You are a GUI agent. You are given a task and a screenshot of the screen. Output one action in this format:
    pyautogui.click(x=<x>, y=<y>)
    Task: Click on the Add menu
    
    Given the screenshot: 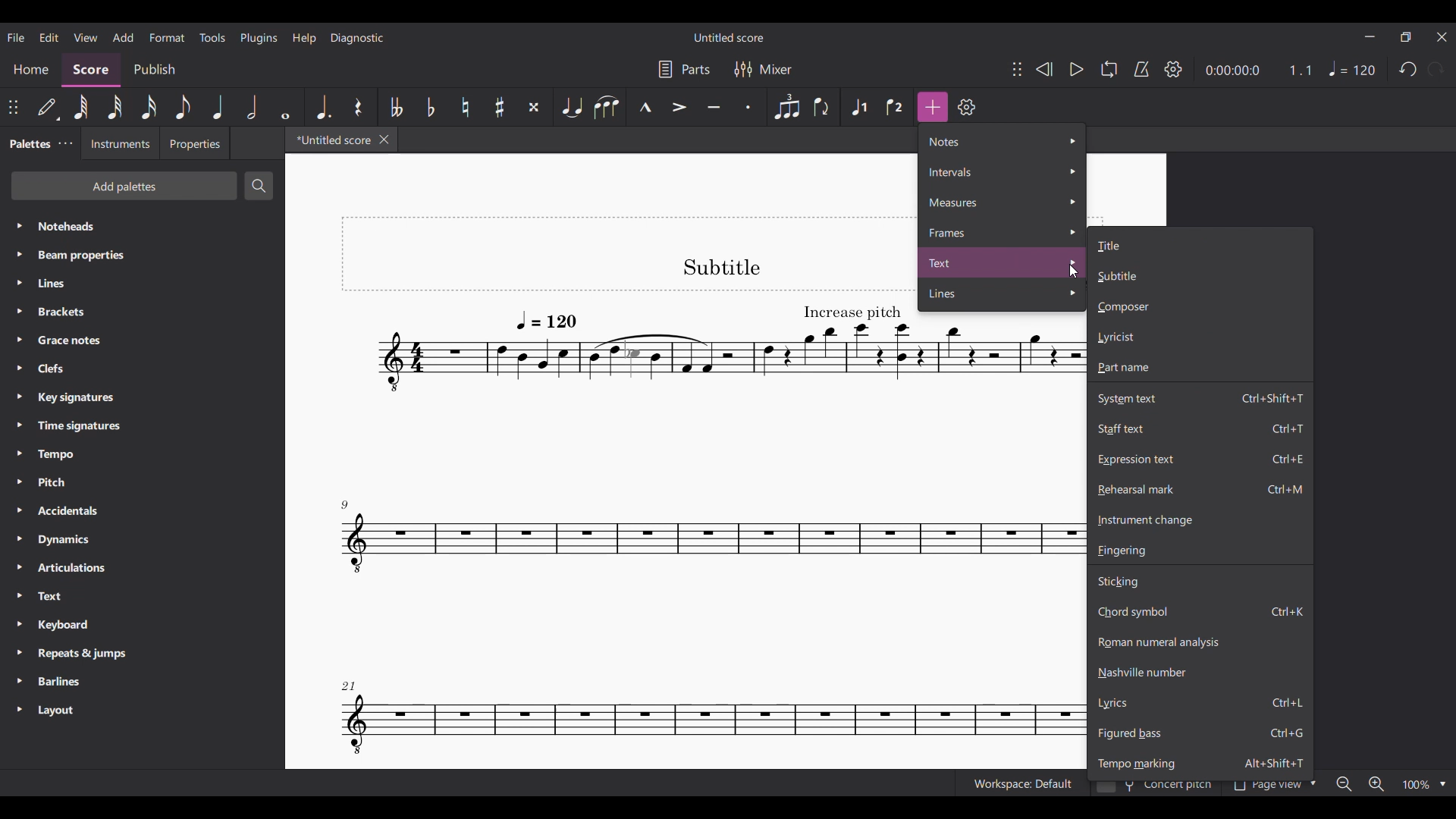 What is the action you would take?
    pyautogui.click(x=123, y=37)
    